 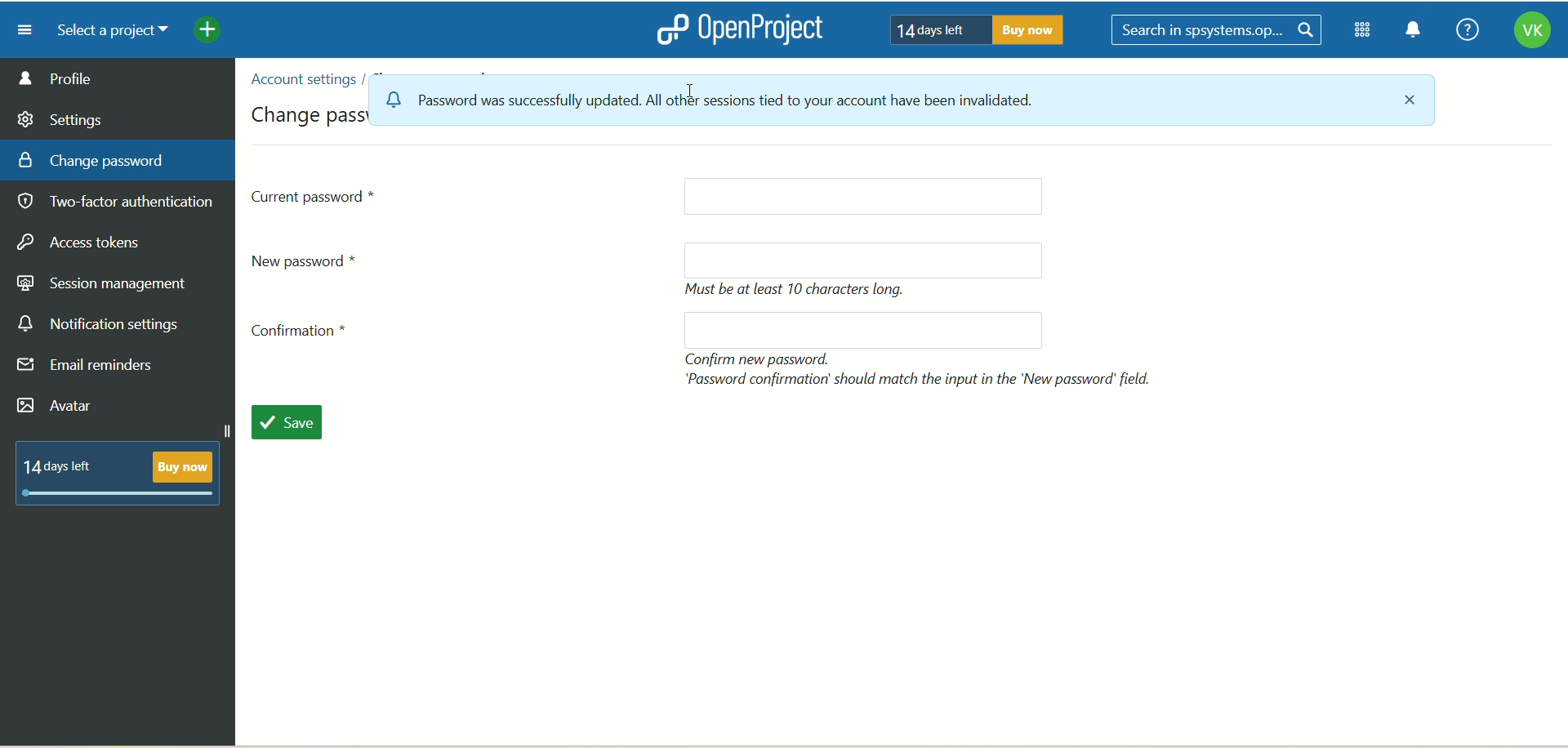 I want to click on two factor authentication, so click(x=122, y=203).